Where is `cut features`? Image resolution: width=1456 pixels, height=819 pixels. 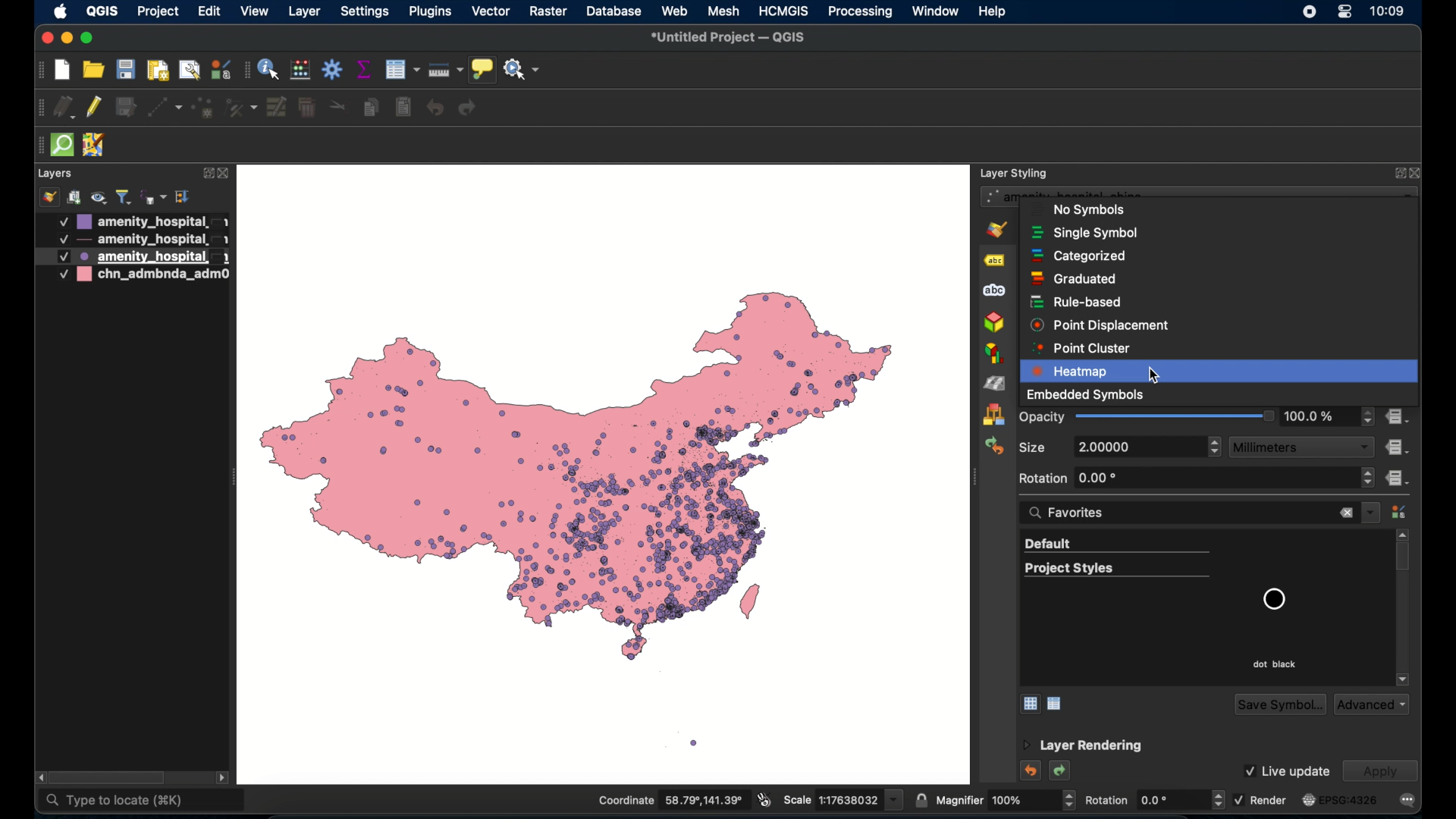
cut features is located at coordinates (338, 107).